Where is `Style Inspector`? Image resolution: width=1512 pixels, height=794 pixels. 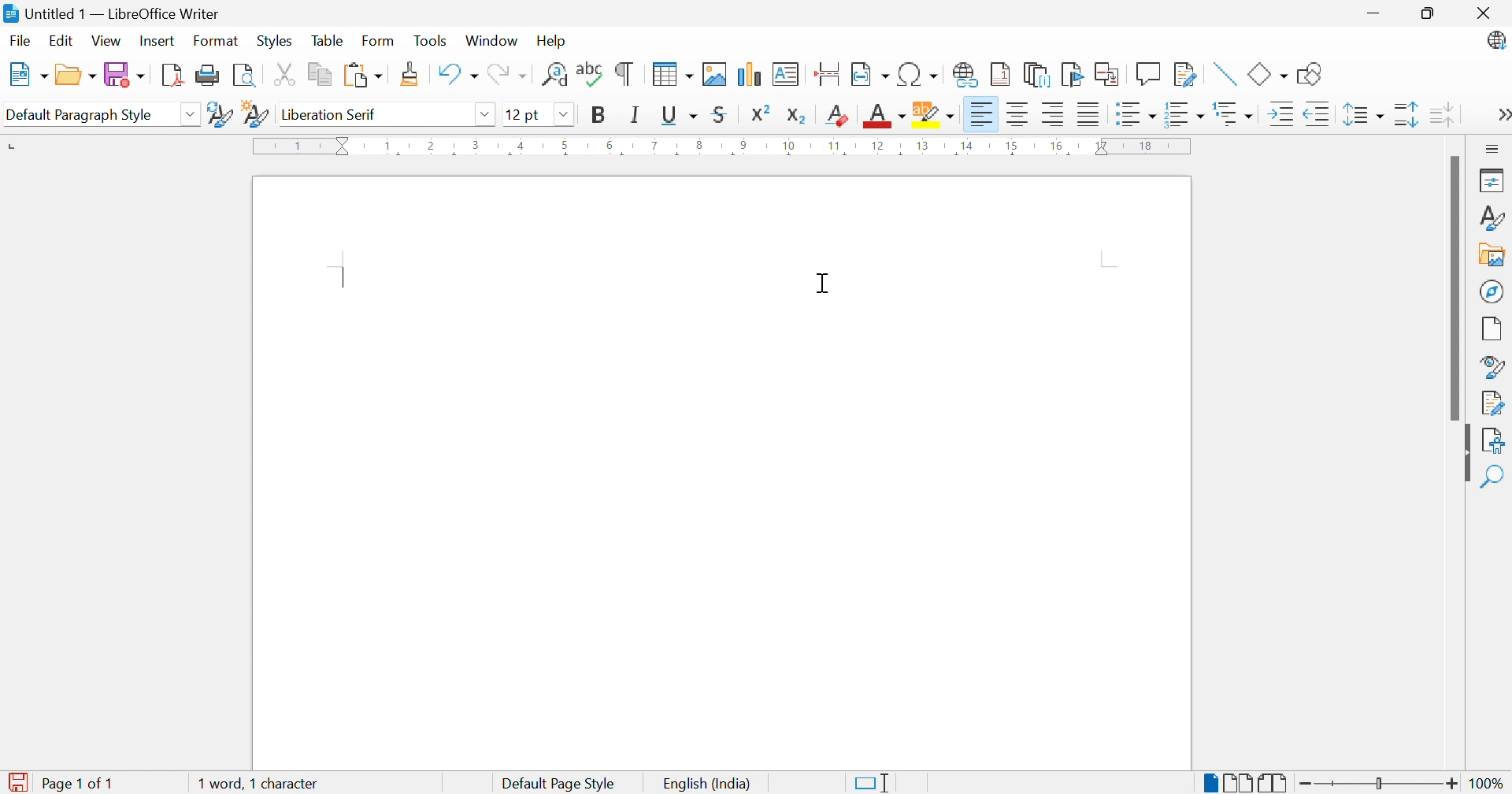
Style Inspector is located at coordinates (1494, 366).